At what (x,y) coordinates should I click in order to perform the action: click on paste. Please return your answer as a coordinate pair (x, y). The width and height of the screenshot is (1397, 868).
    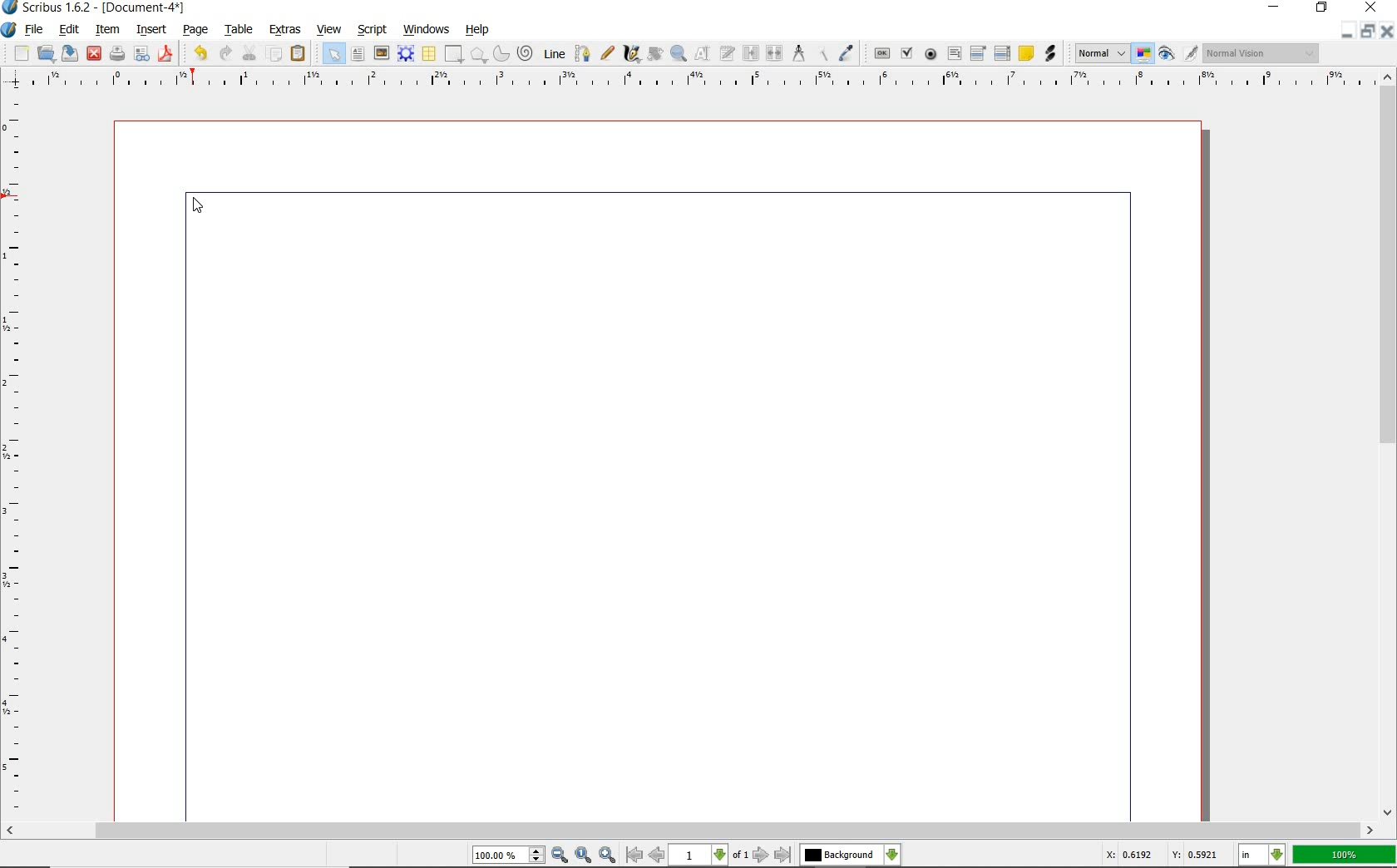
    Looking at the image, I should click on (298, 54).